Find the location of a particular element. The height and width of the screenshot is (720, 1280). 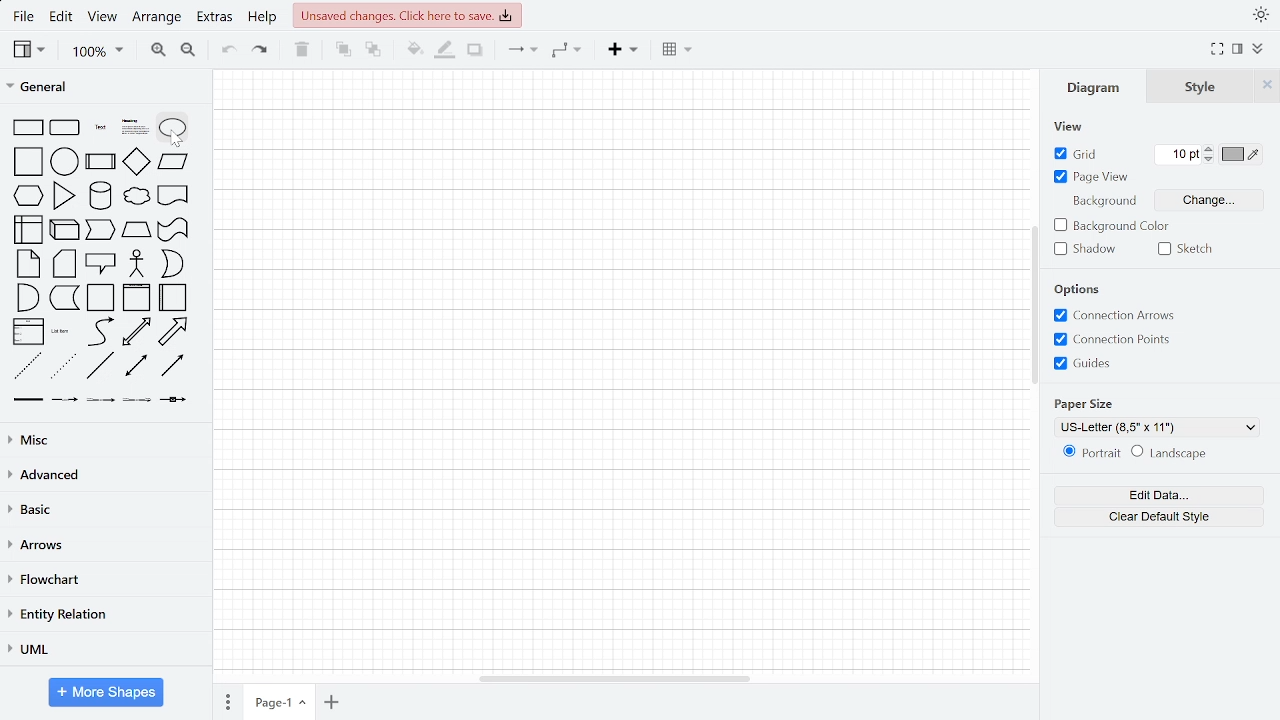

CLose is located at coordinates (1266, 87).